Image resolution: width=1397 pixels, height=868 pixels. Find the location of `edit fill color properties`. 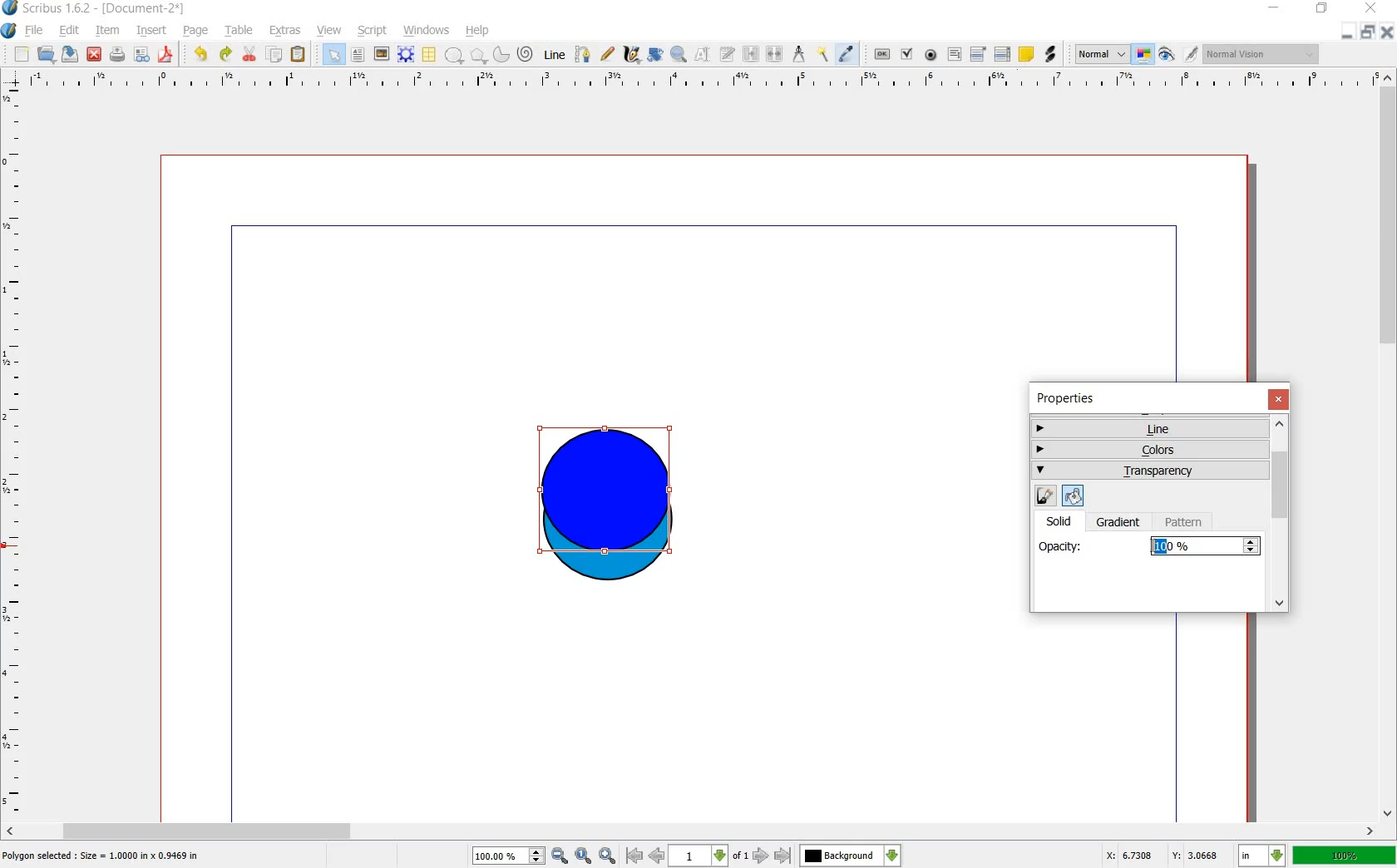

edit fill color properties is located at coordinates (1071, 495).